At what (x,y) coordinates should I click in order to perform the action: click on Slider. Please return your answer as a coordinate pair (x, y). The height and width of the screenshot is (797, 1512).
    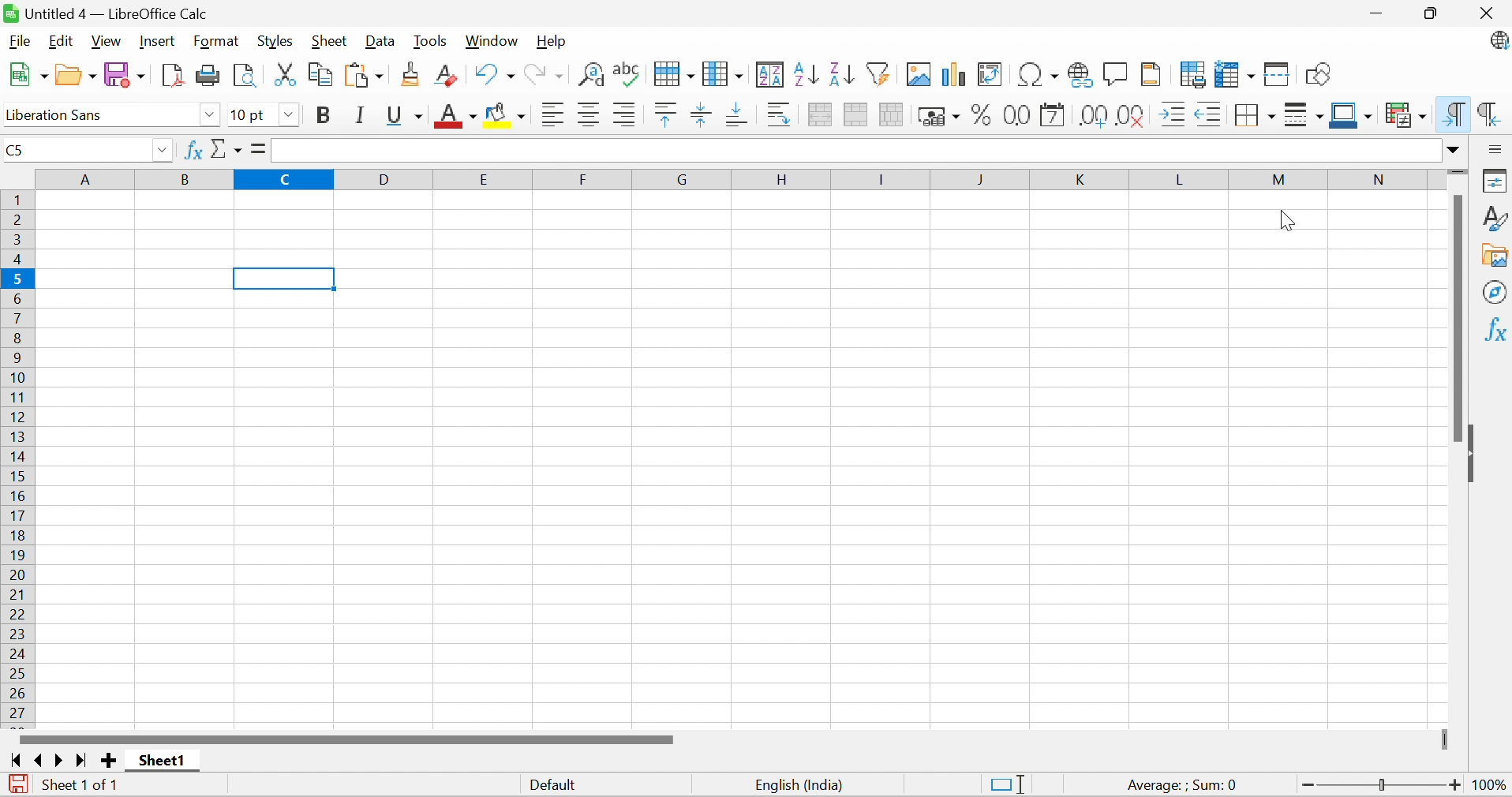
    Looking at the image, I should click on (1383, 786).